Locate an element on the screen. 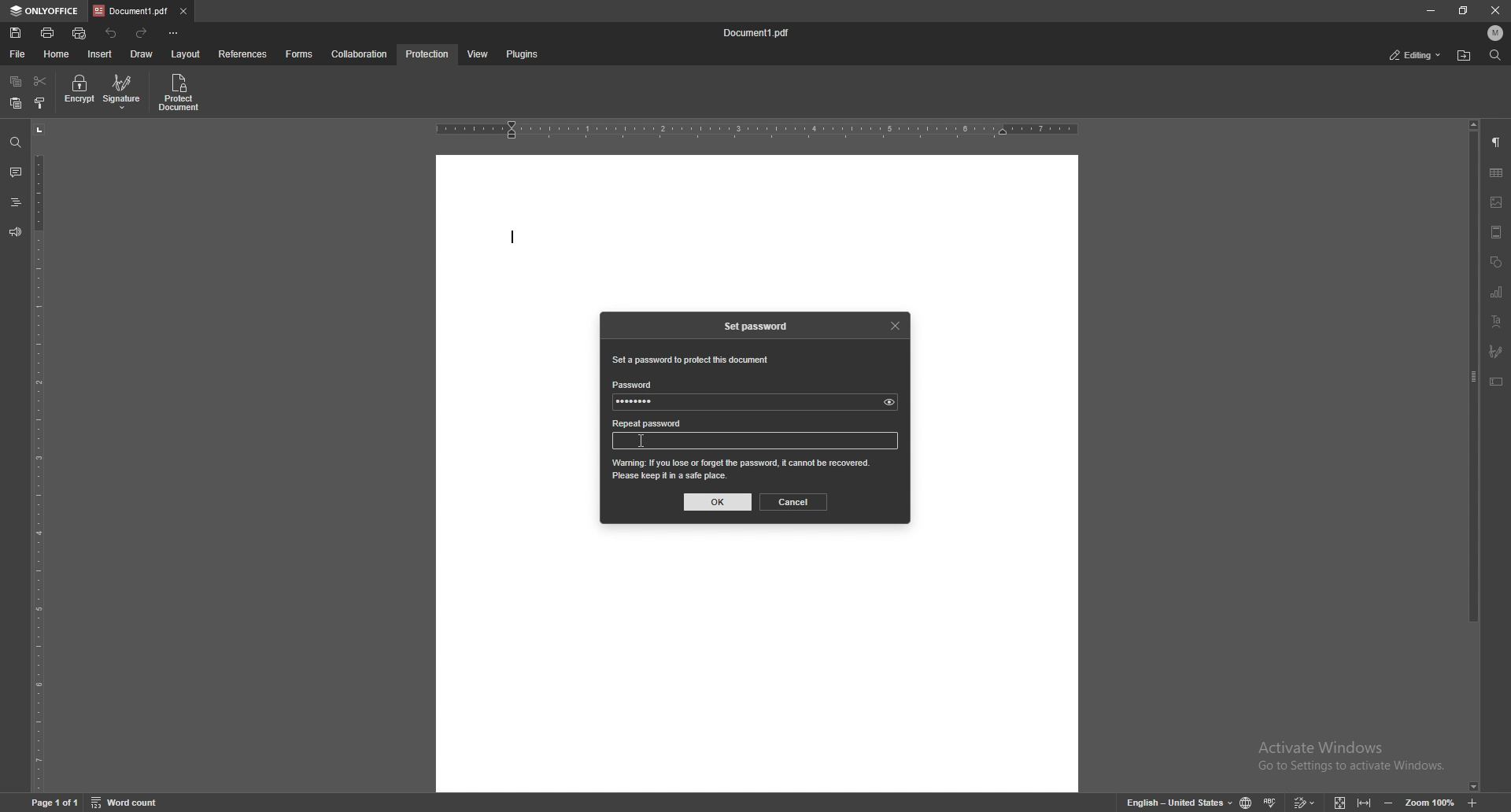  encrypt is located at coordinates (77, 92).